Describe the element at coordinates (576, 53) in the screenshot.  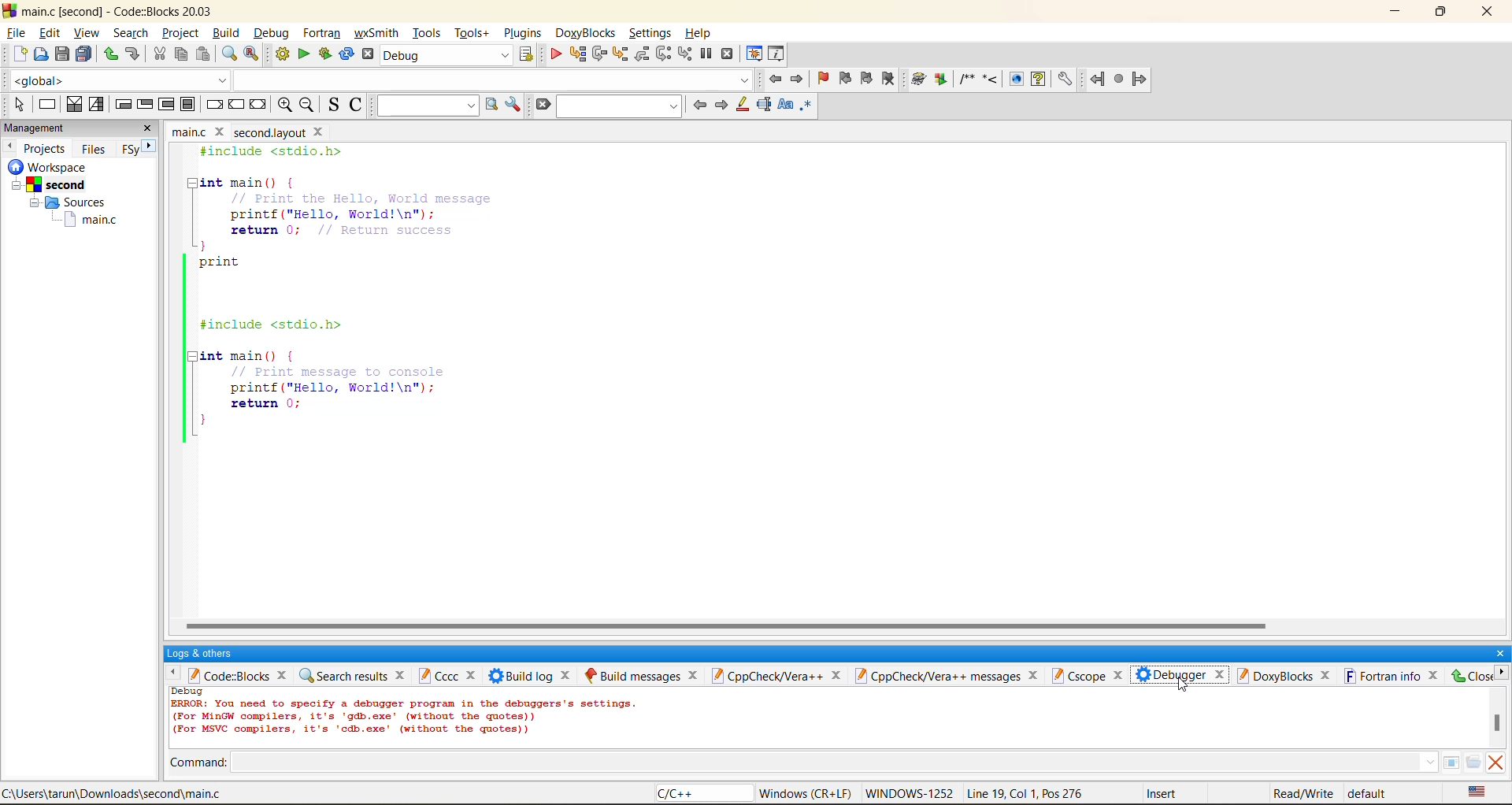
I see `run to cursor` at that location.